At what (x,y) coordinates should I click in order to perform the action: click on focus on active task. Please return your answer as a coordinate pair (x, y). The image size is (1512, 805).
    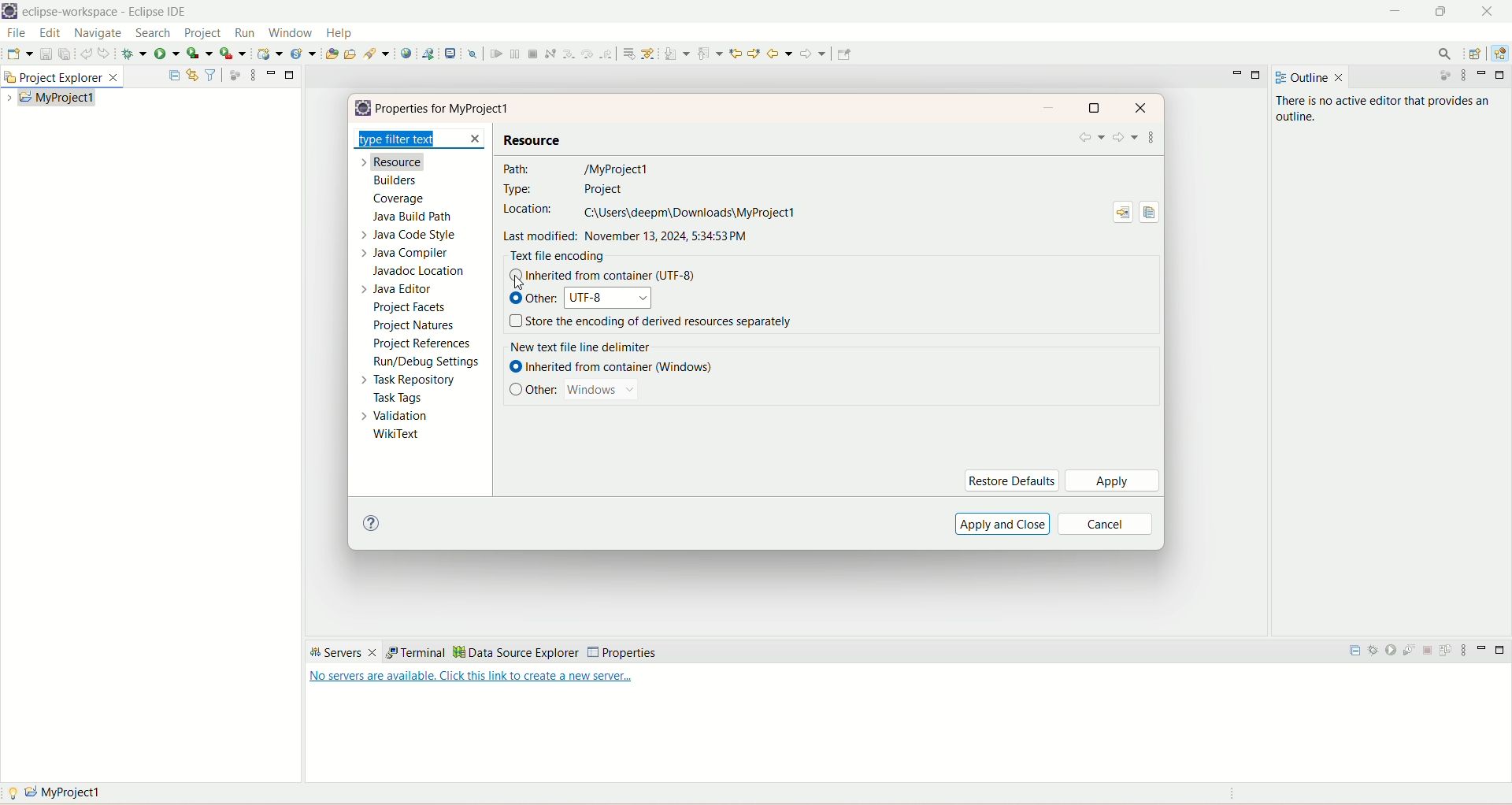
    Looking at the image, I should click on (233, 74).